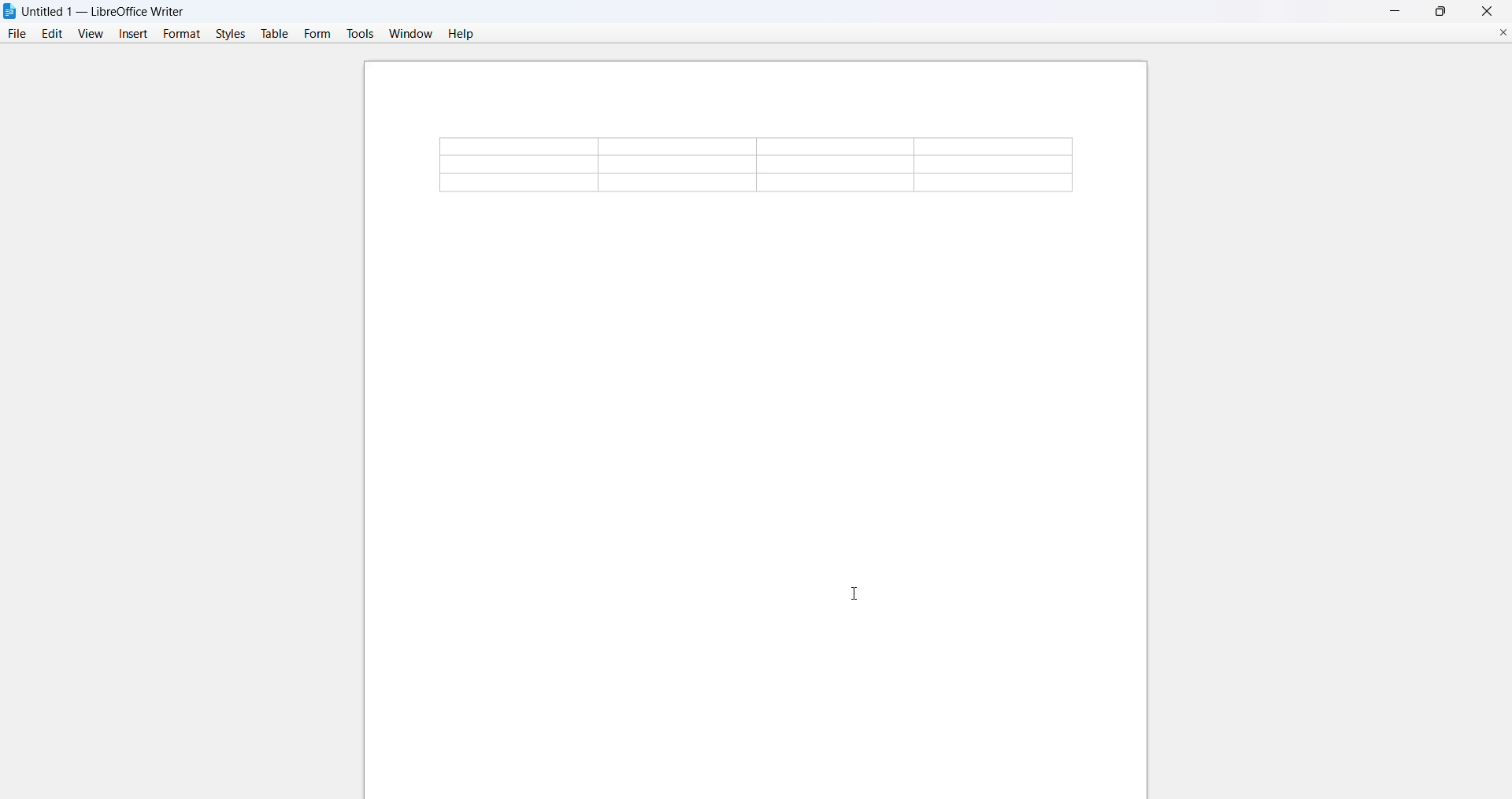  What do you see at coordinates (9, 11) in the screenshot?
I see `libreofficewriter logo` at bounding box center [9, 11].